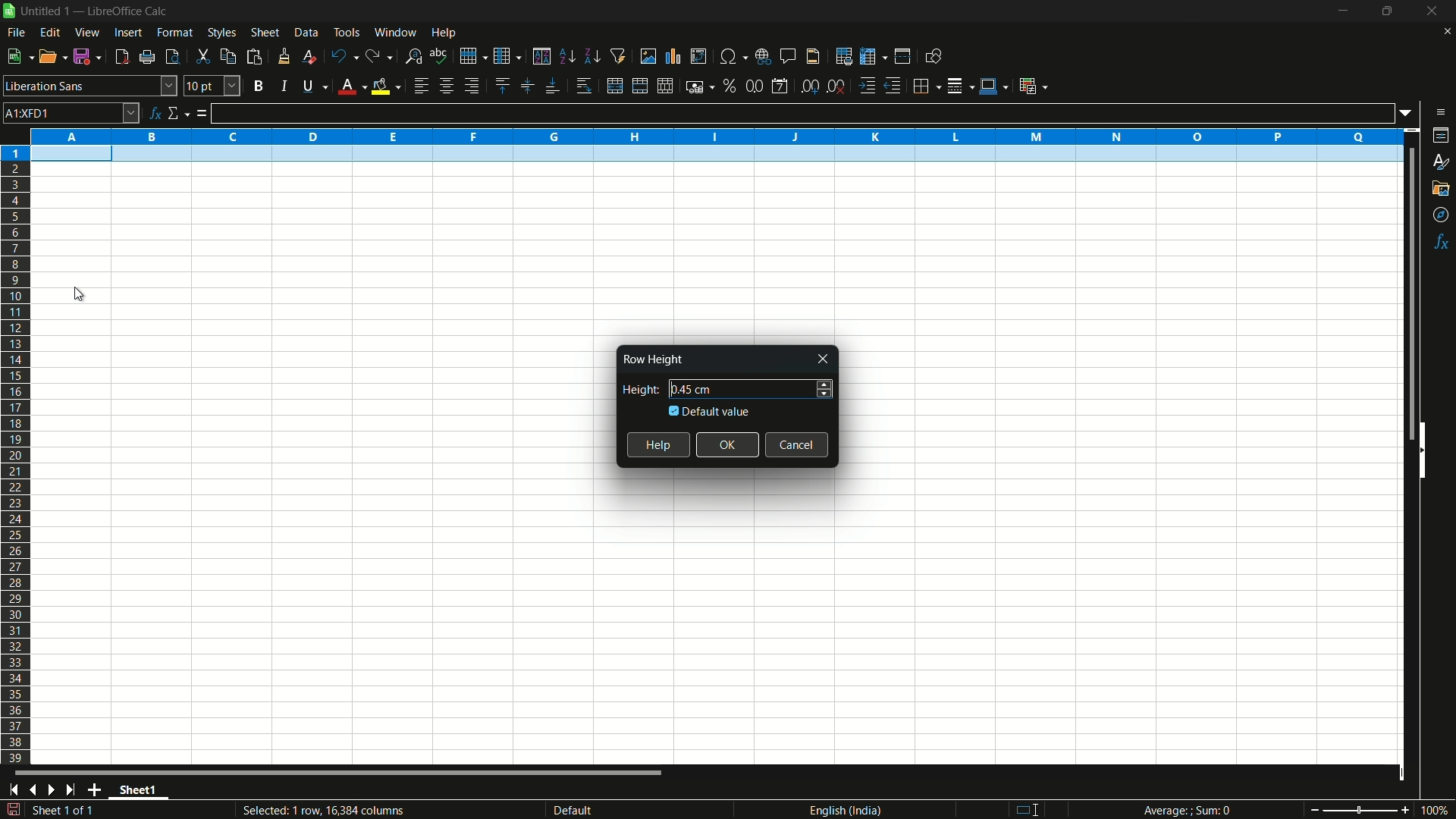  What do you see at coordinates (414, 55) in the screenshot?
I see `find and replace` at bounding box center [414, 55].